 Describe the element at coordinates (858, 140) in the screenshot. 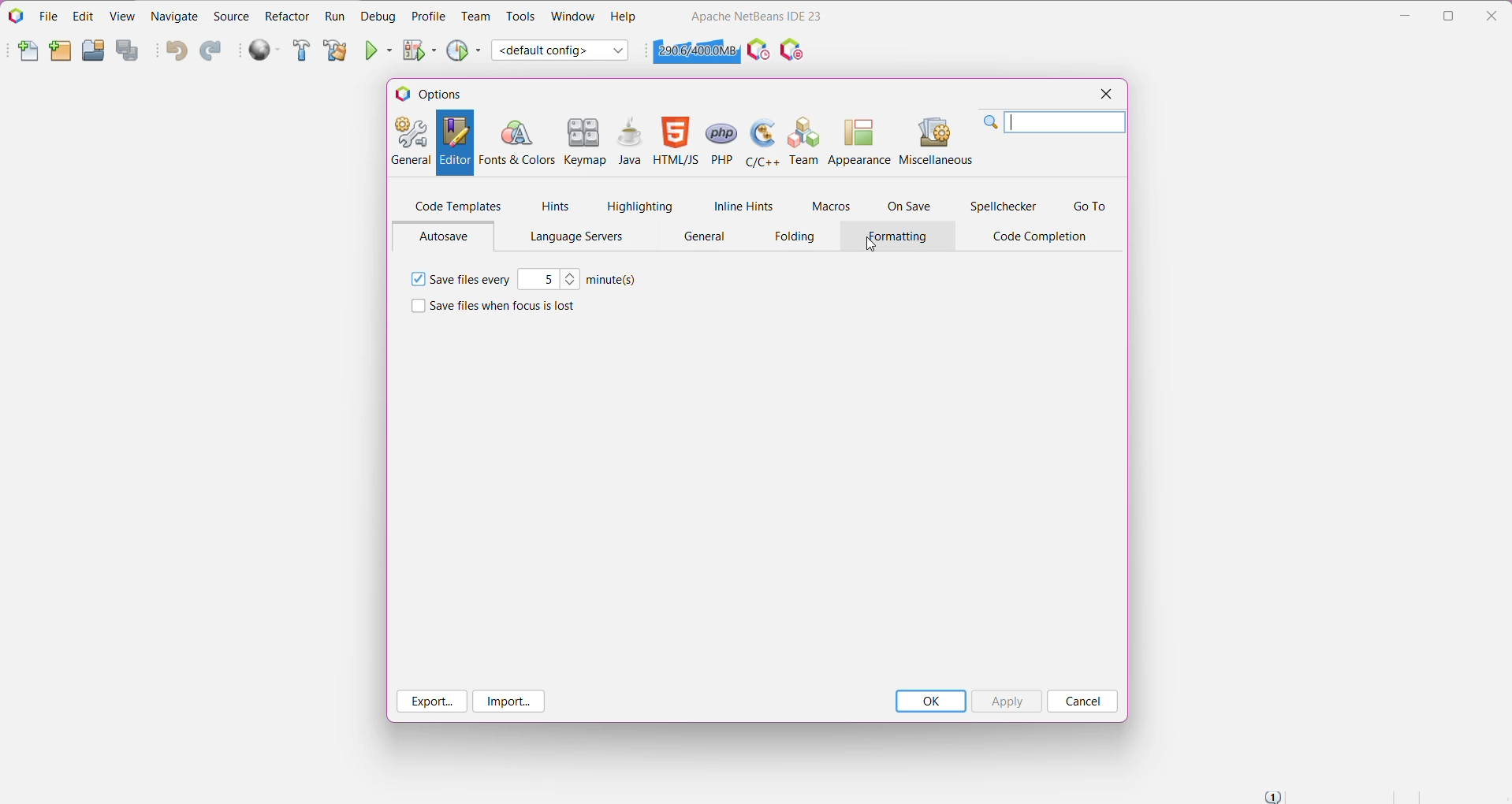

I see `Appearance` at that location.